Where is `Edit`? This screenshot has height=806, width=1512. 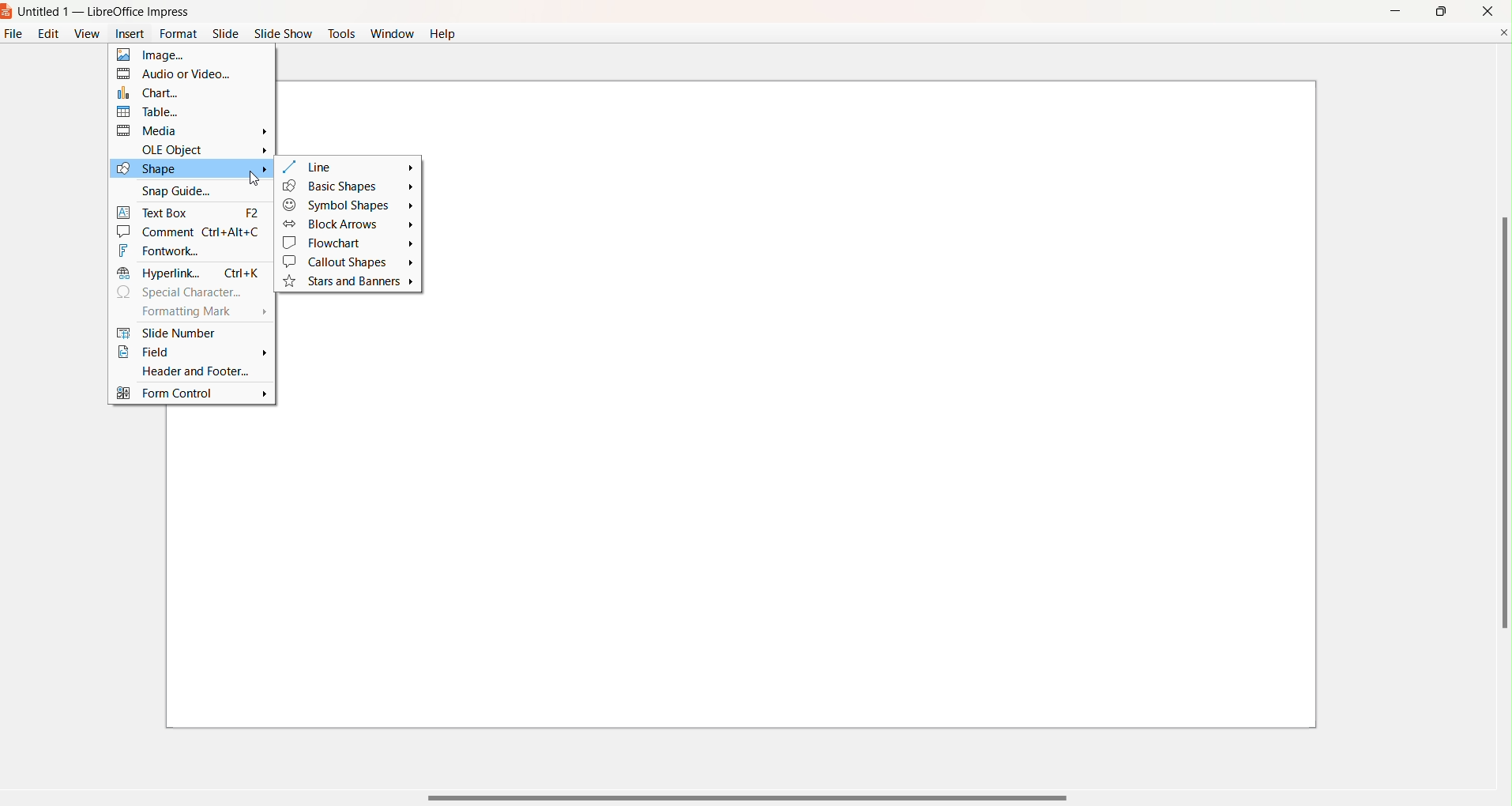
Edit is located at coordinates (48, 33).